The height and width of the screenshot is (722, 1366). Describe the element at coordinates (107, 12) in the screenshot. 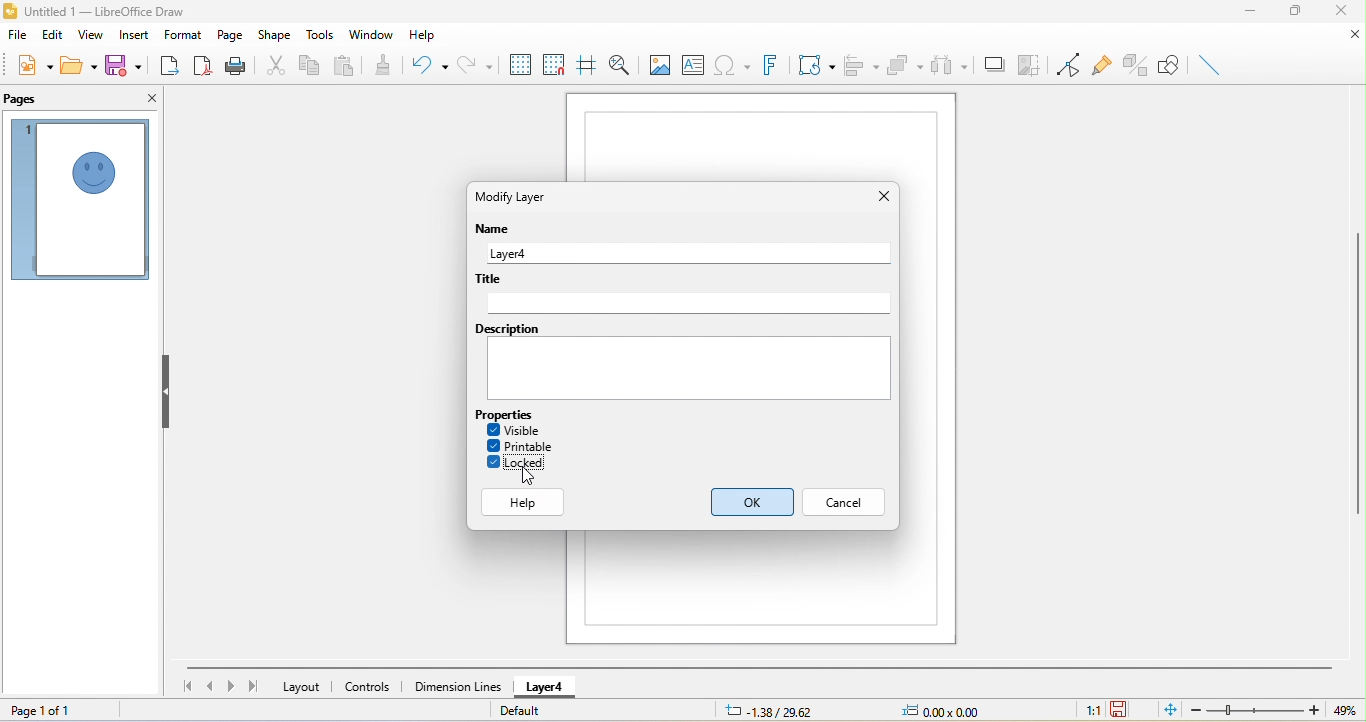

I see `untitled 1 - LibreOffice Draw` at that location.